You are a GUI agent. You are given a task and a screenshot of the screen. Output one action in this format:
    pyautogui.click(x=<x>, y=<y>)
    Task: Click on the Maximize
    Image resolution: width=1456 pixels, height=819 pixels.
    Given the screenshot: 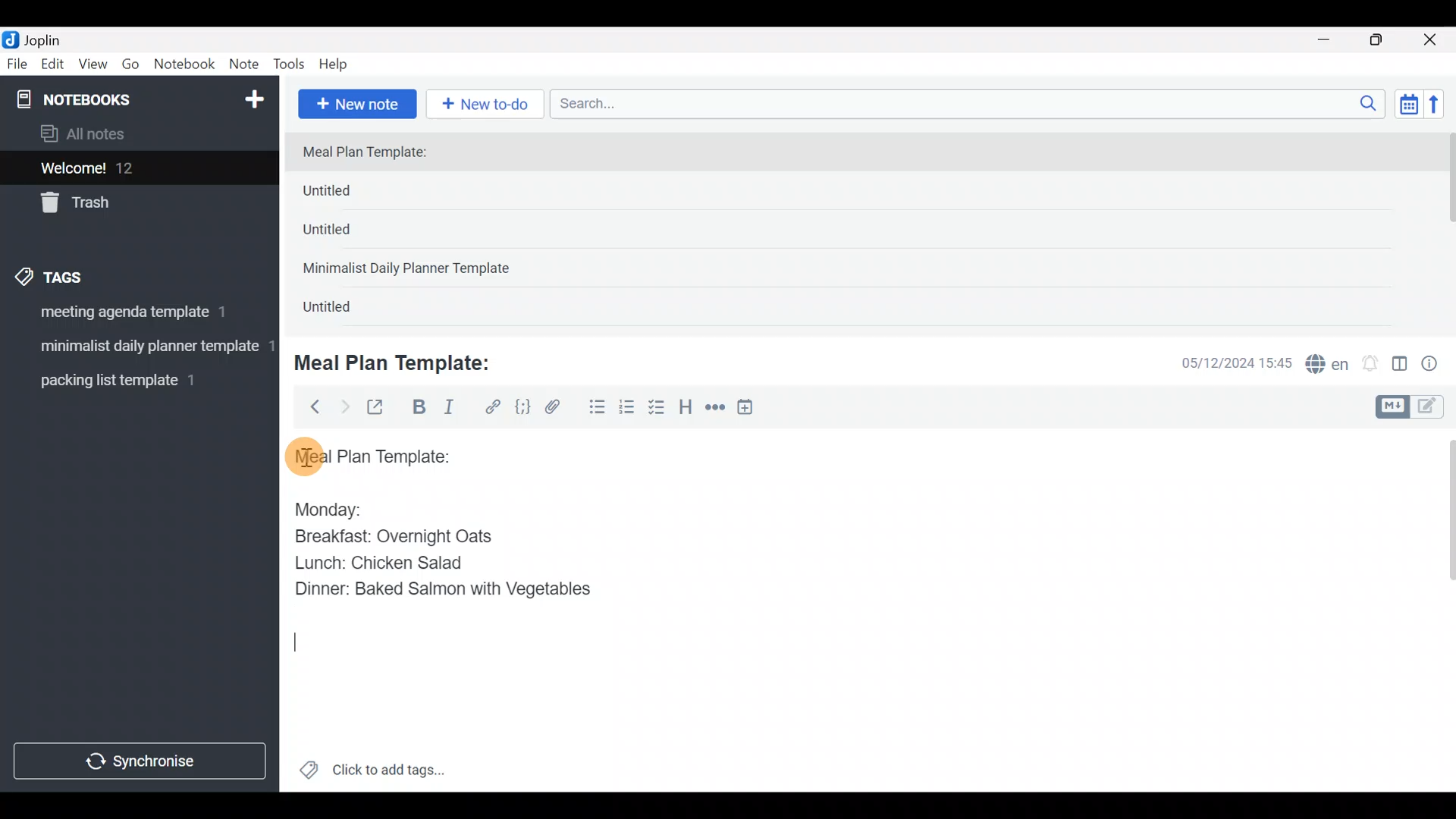 What is the action you would take?
    pyautogui.click(x=1385, y=40)
    